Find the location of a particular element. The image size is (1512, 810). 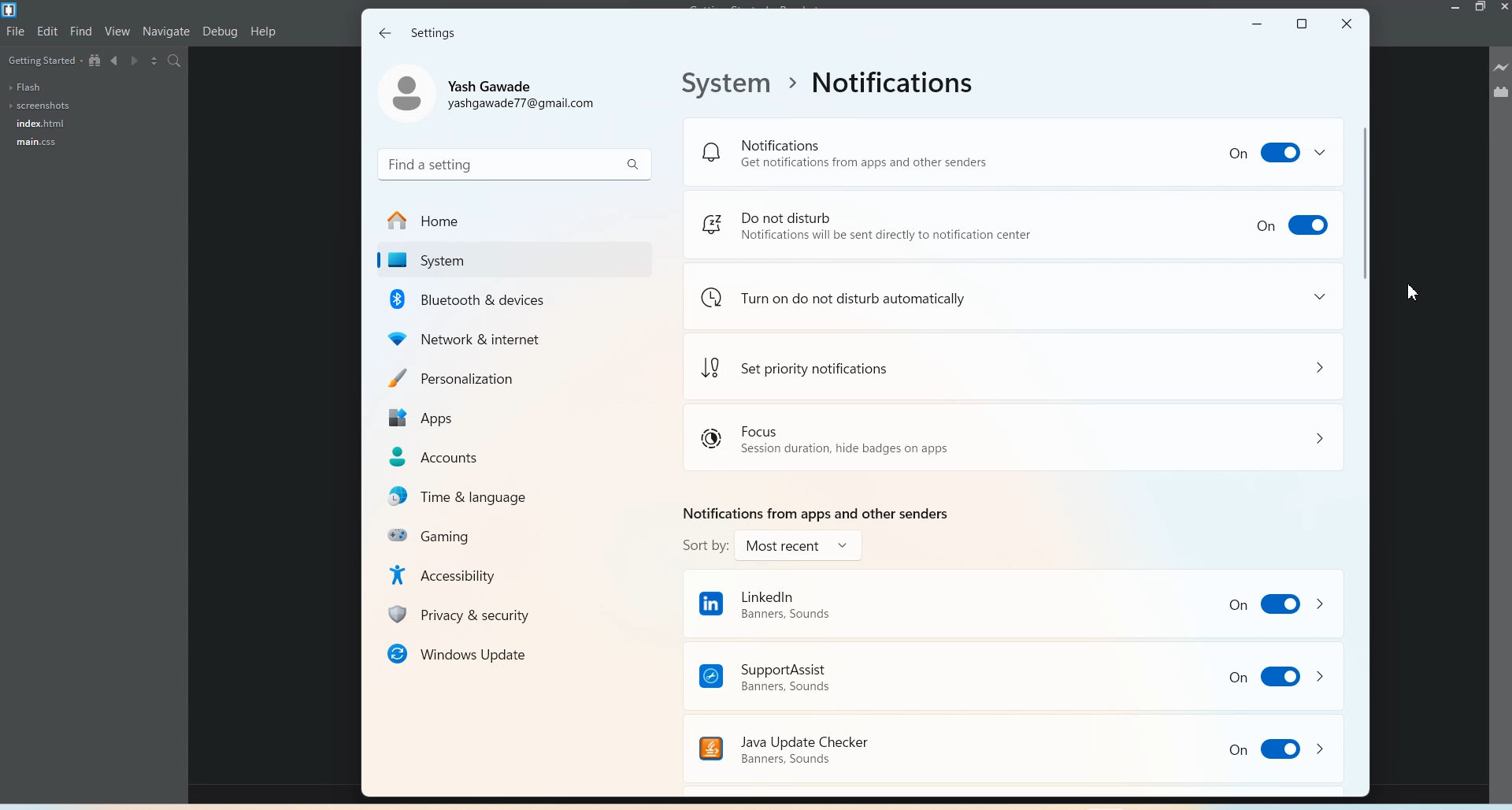

File Path address is located at coordinates (833, 85).